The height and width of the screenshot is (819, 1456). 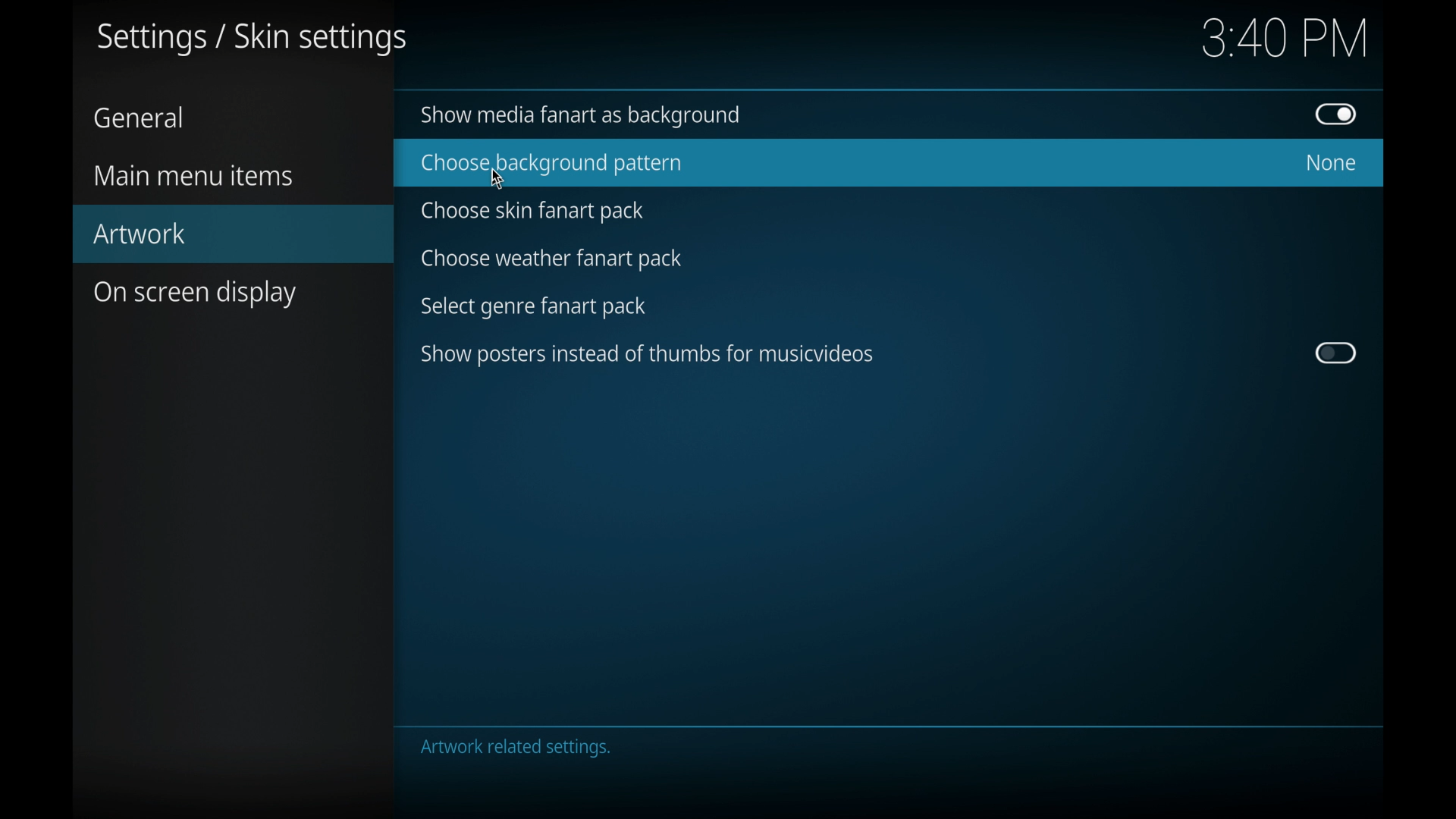 What do you see at coordinates (1337, 353) in the screenshot?
I see `toggle button` at bounding box center [1337, 353].